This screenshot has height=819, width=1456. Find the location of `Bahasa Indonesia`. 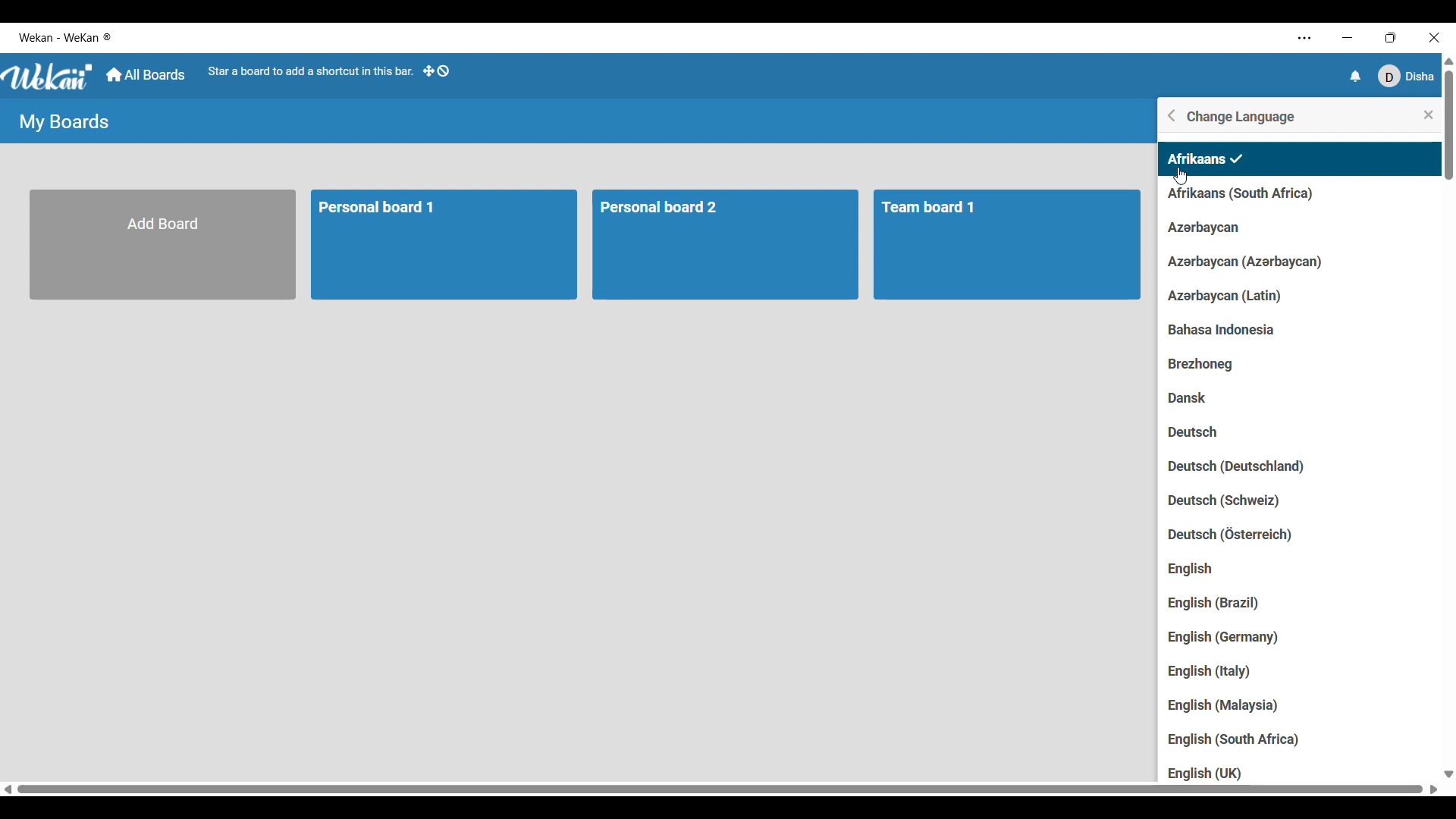

Bahasa Indonesia is located at coordinates (1243, 331).